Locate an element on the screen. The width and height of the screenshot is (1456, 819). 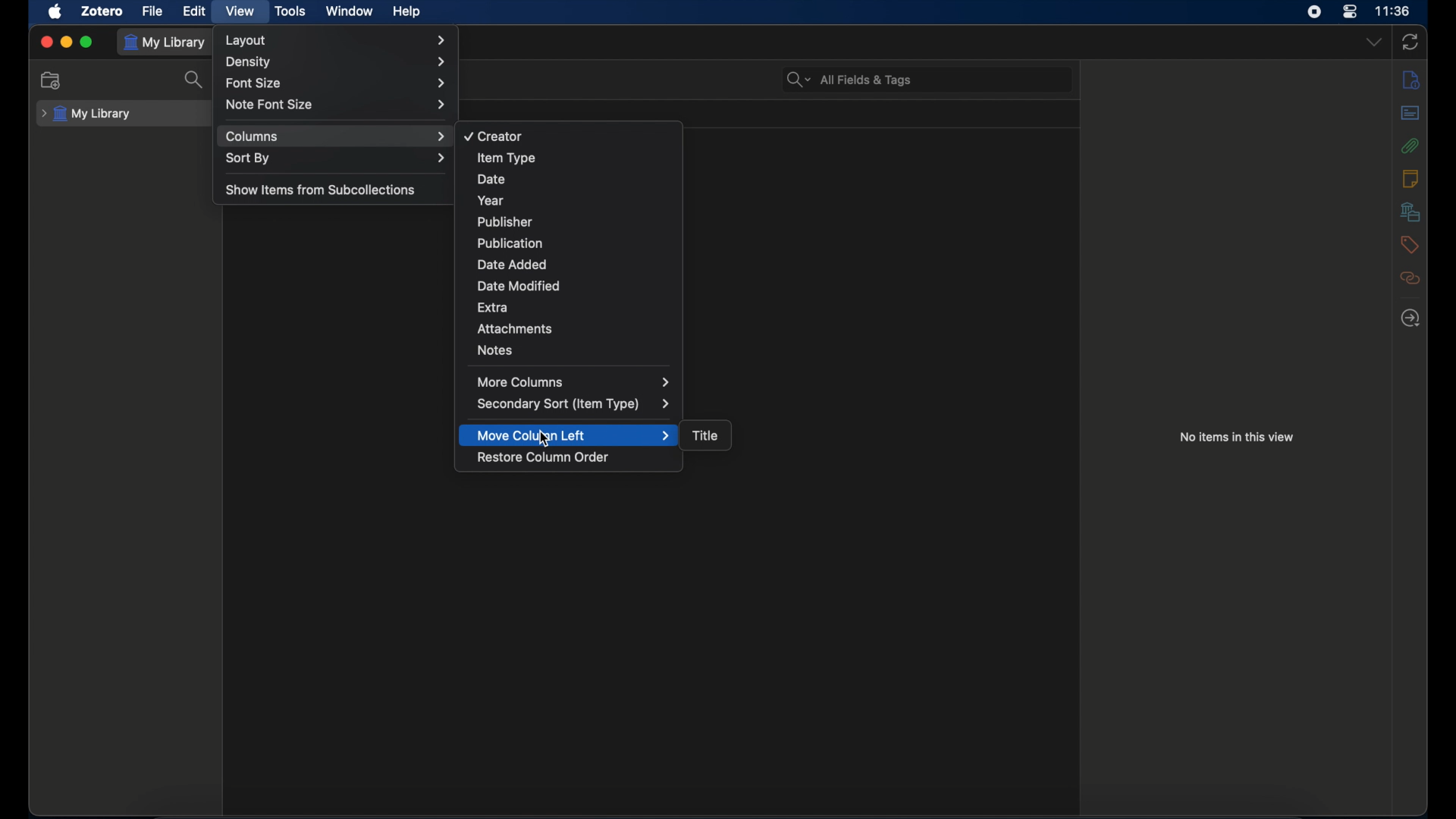
file is located at coordinates (152, 12).